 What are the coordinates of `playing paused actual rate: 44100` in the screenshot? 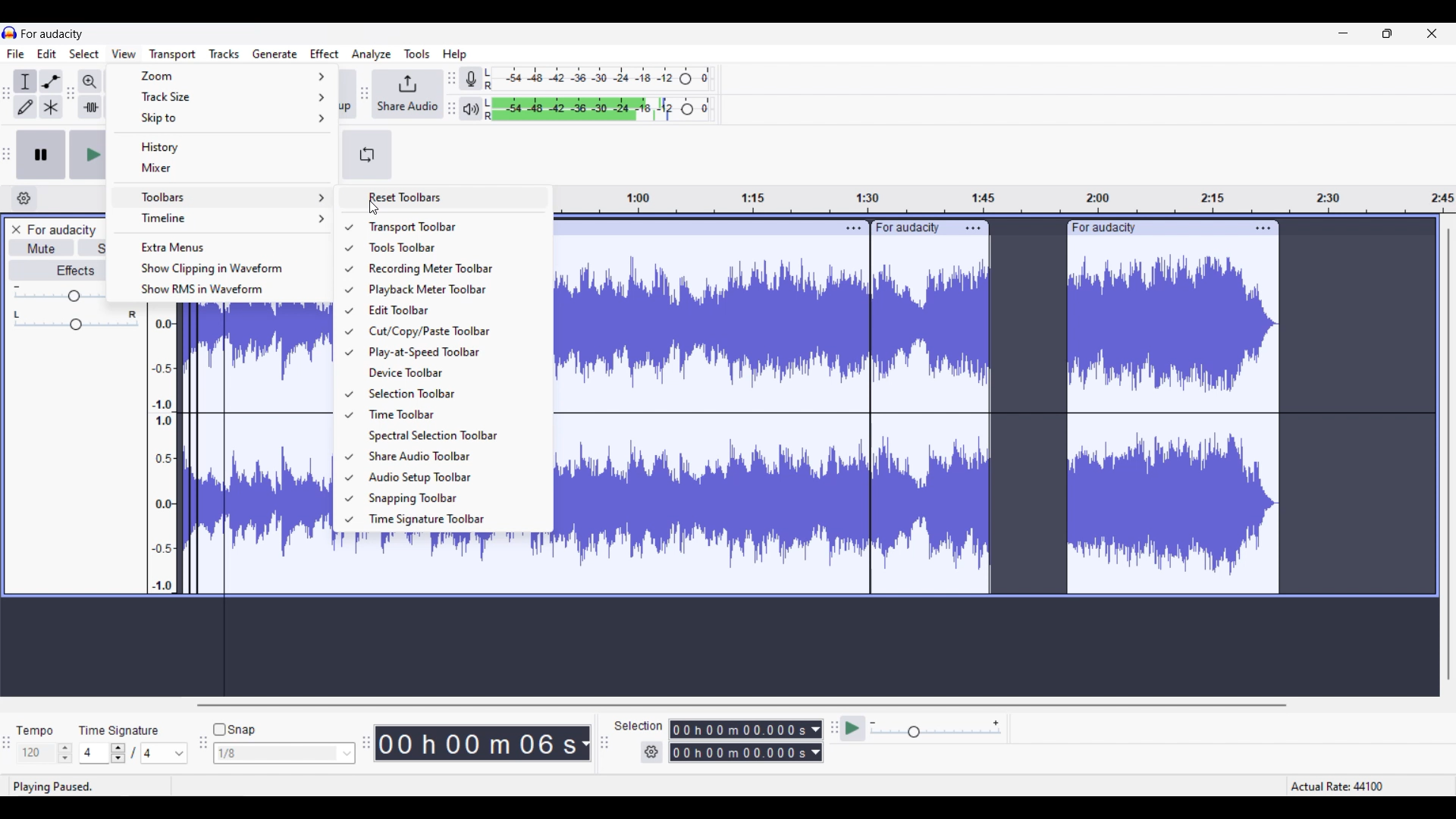 It's located at (721, 786).